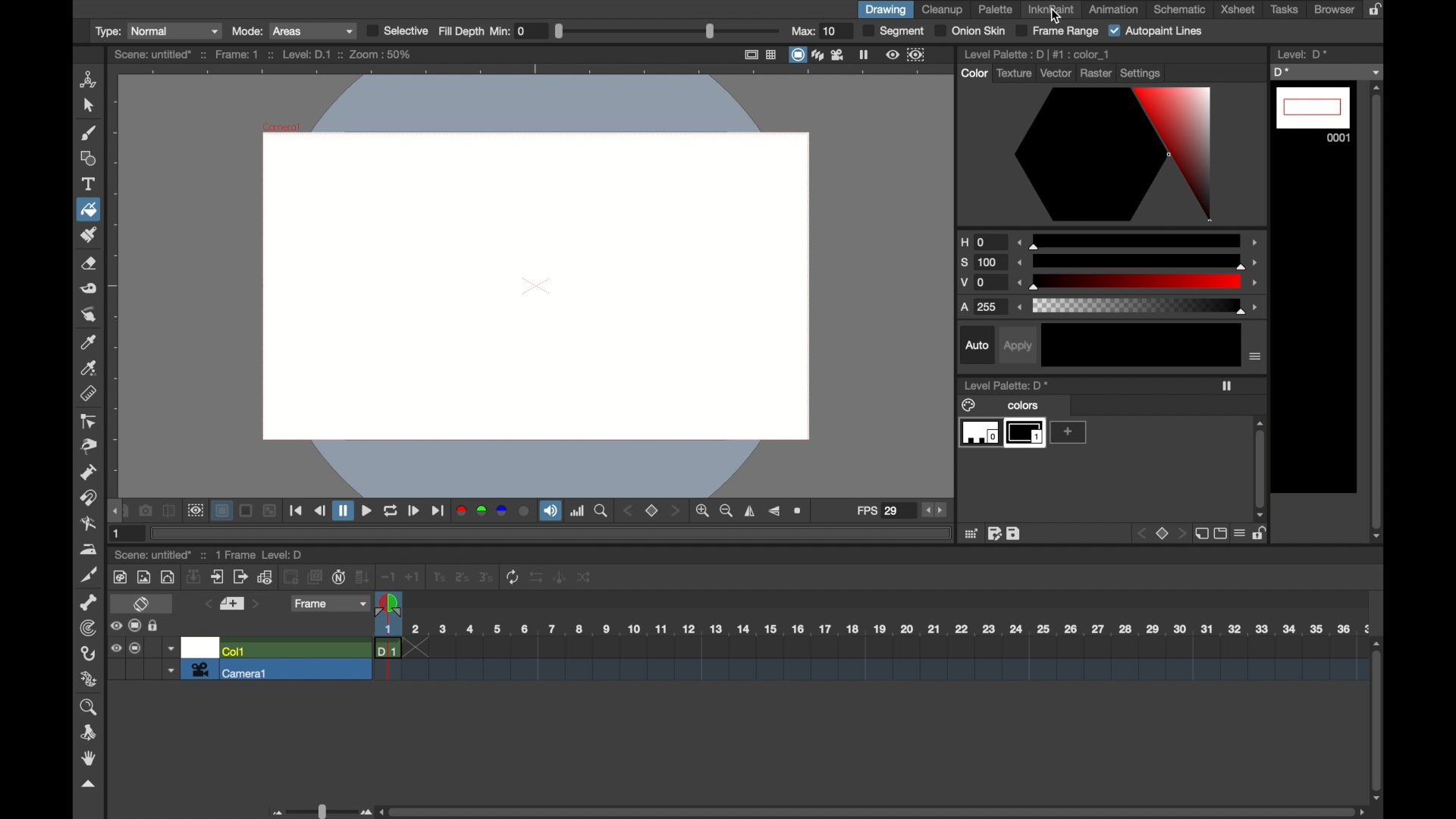 The width and height of the screenshot is (1456, 819). Describe the element at coordinates (218, 577) in the screenshot. I see `move` at that location.